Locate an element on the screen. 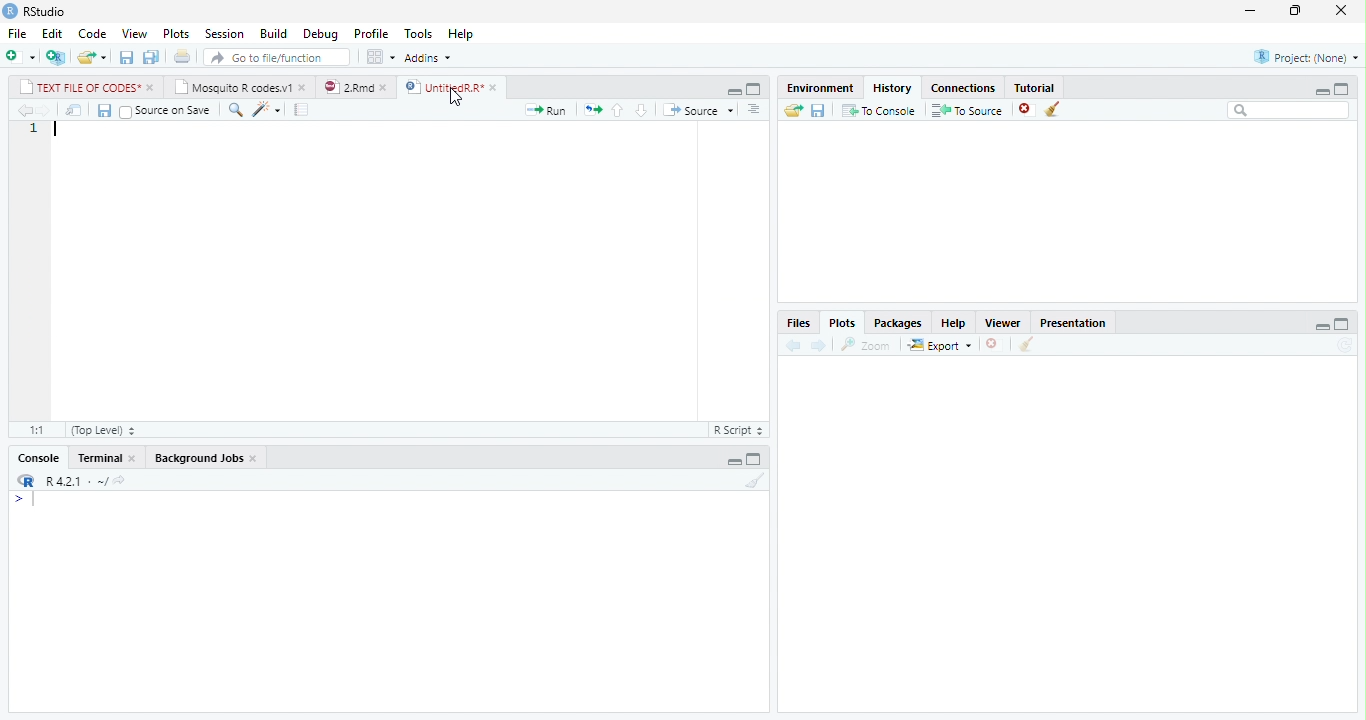 The height and width of the screenshot is (720, 1366). back is located at coordinates (793, 346).